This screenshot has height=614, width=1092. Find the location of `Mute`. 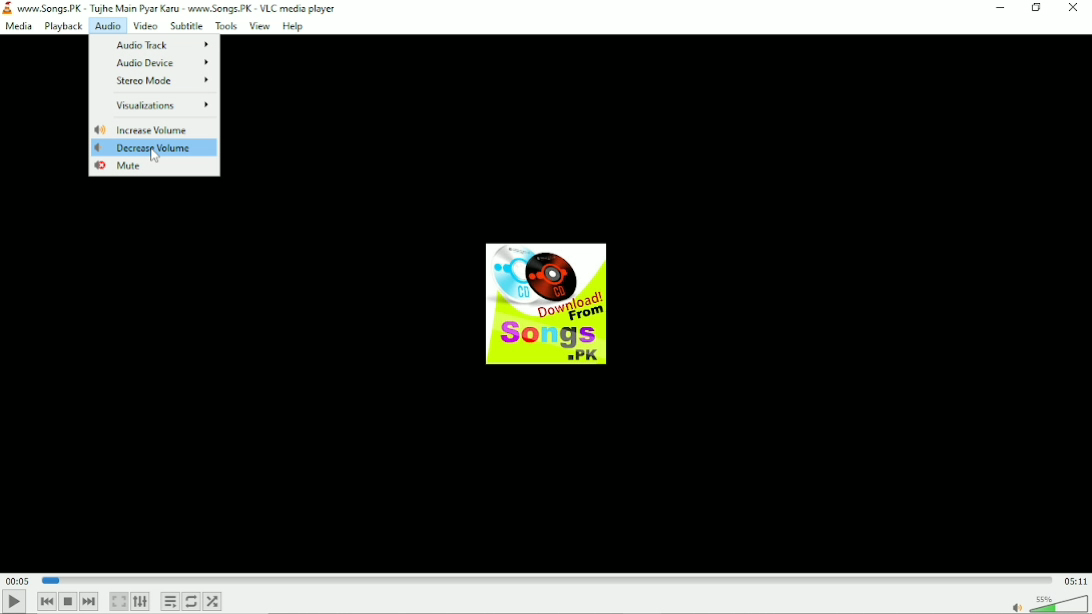

Mute is located at coordinates (124, 168).